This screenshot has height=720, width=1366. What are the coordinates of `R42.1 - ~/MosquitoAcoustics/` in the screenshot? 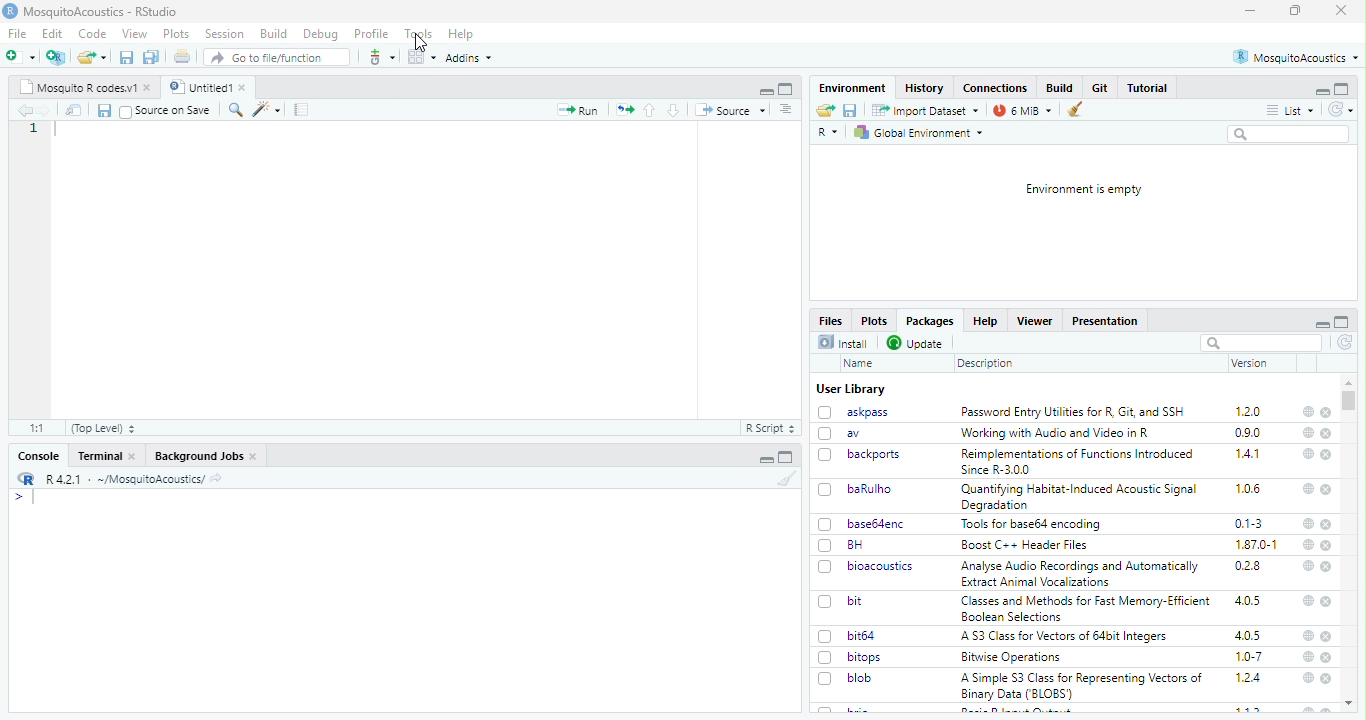 It's located at (123, 479).